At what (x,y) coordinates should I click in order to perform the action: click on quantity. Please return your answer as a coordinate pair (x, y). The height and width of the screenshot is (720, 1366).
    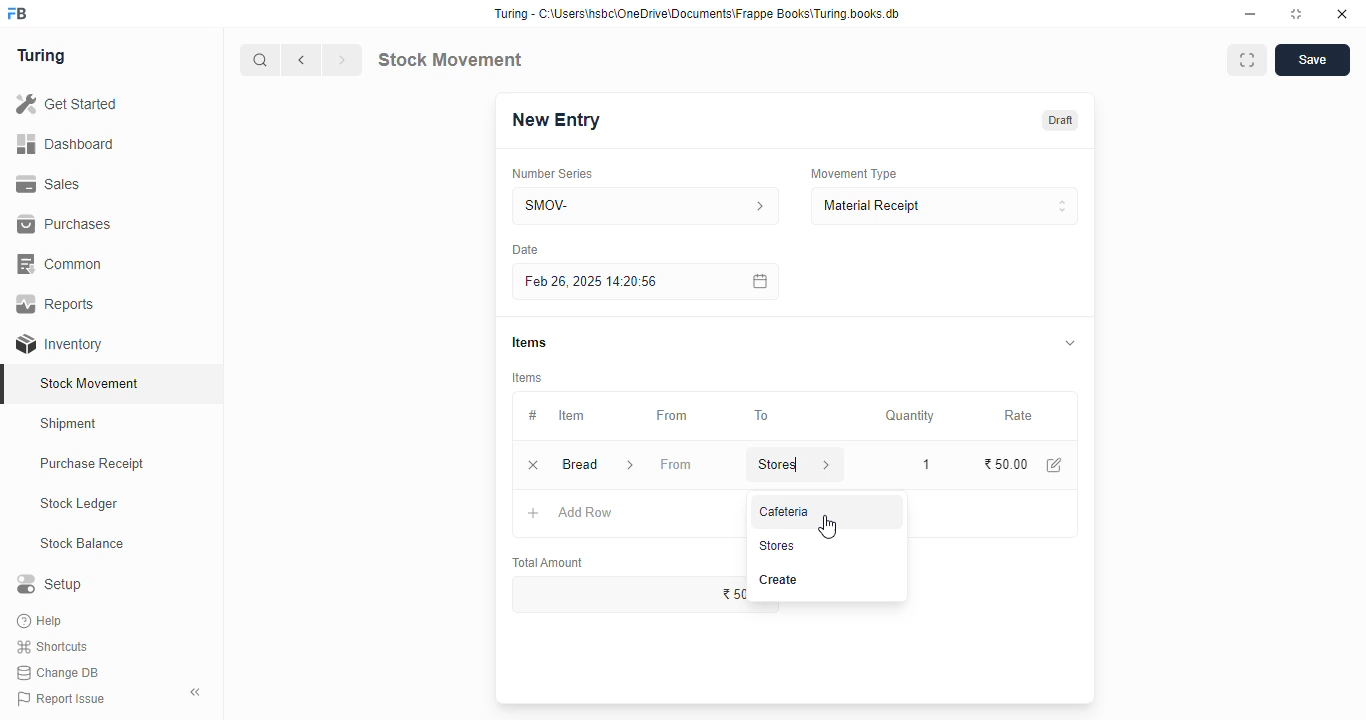
    Looking at the image, I should click on (910, 416).